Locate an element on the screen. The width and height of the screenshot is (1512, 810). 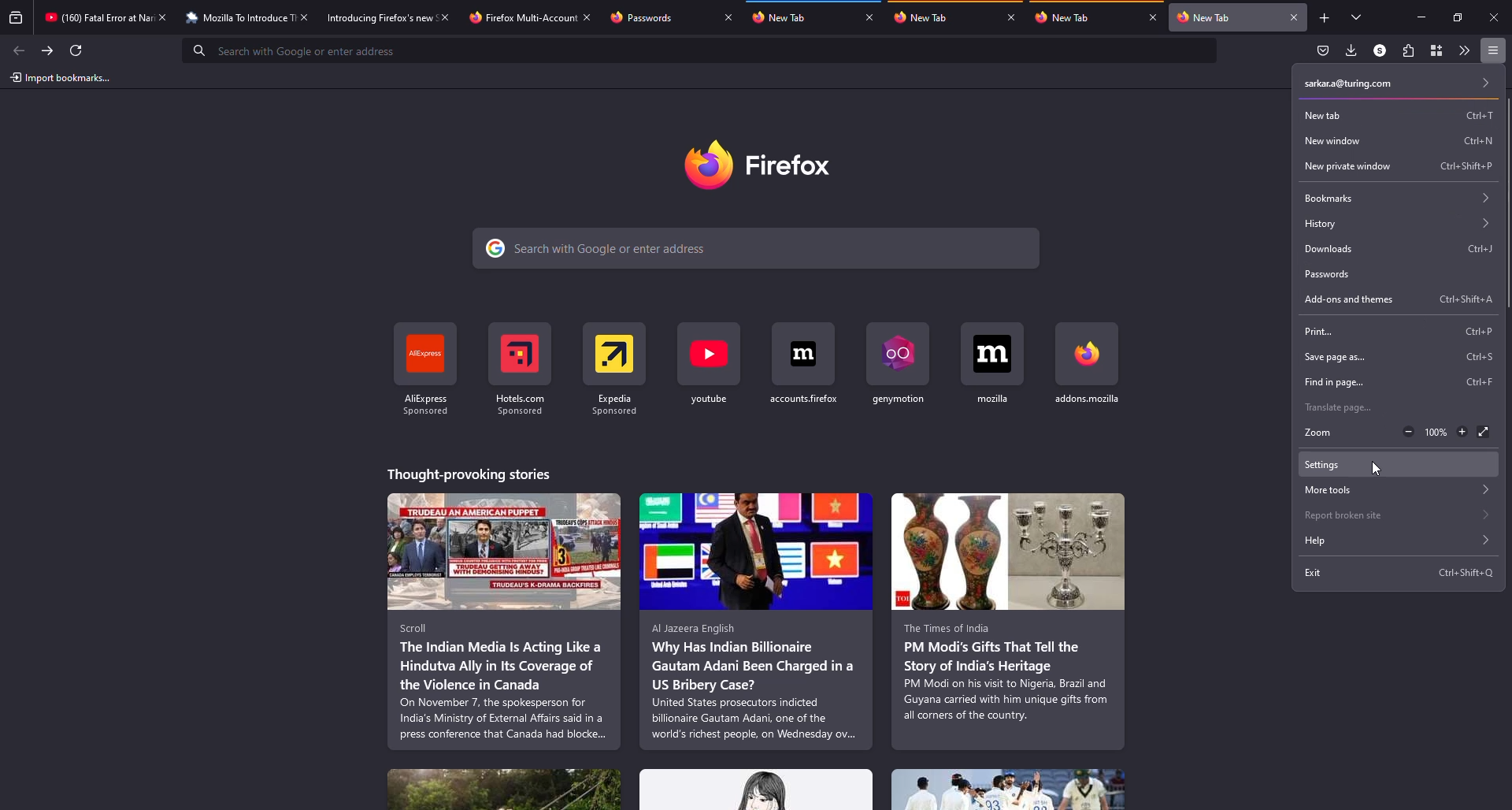
close is located at coordinates (1295, 17).